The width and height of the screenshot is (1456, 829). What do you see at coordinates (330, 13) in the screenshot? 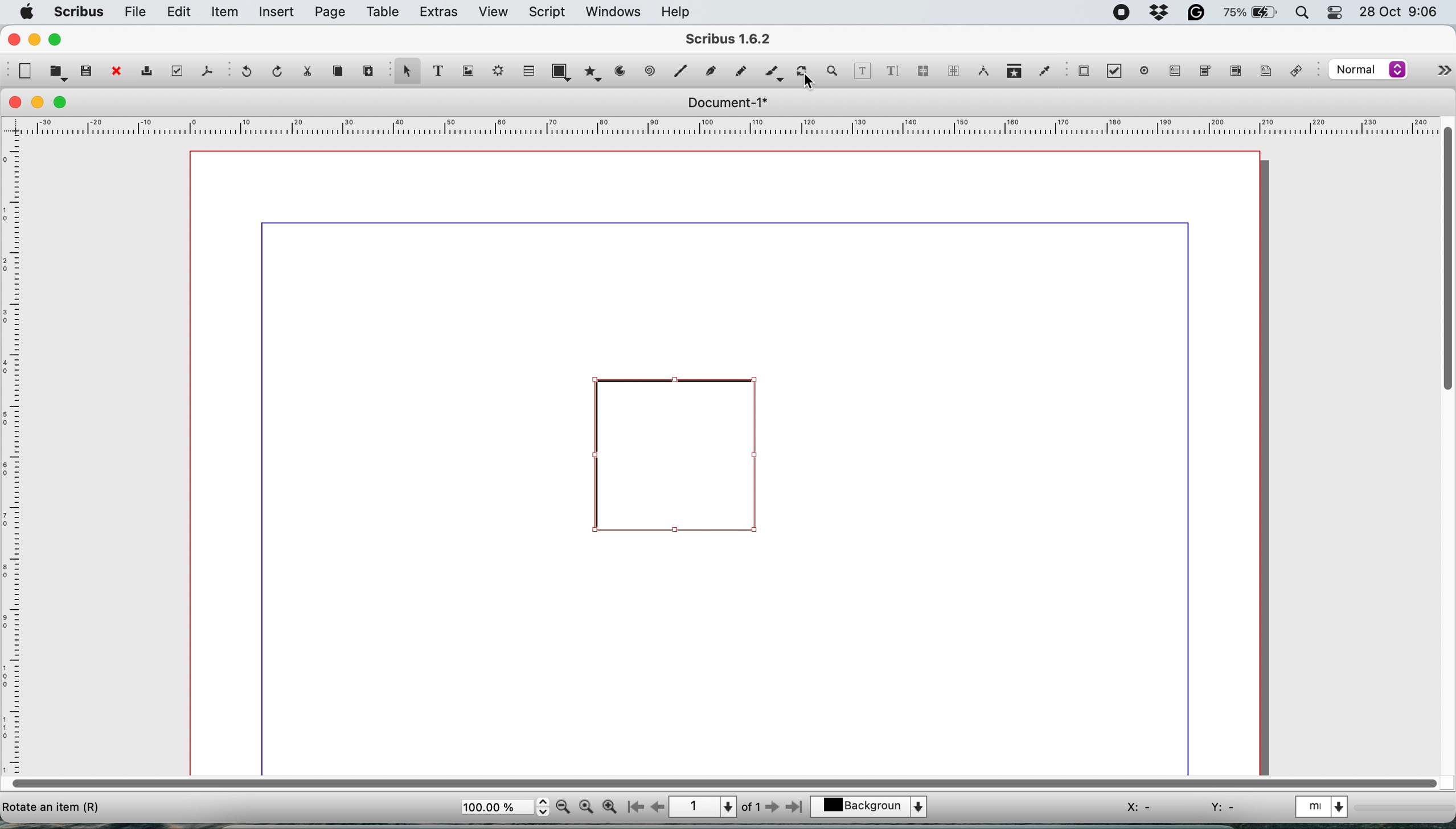
I see `page` at bounding box center [330, 13].